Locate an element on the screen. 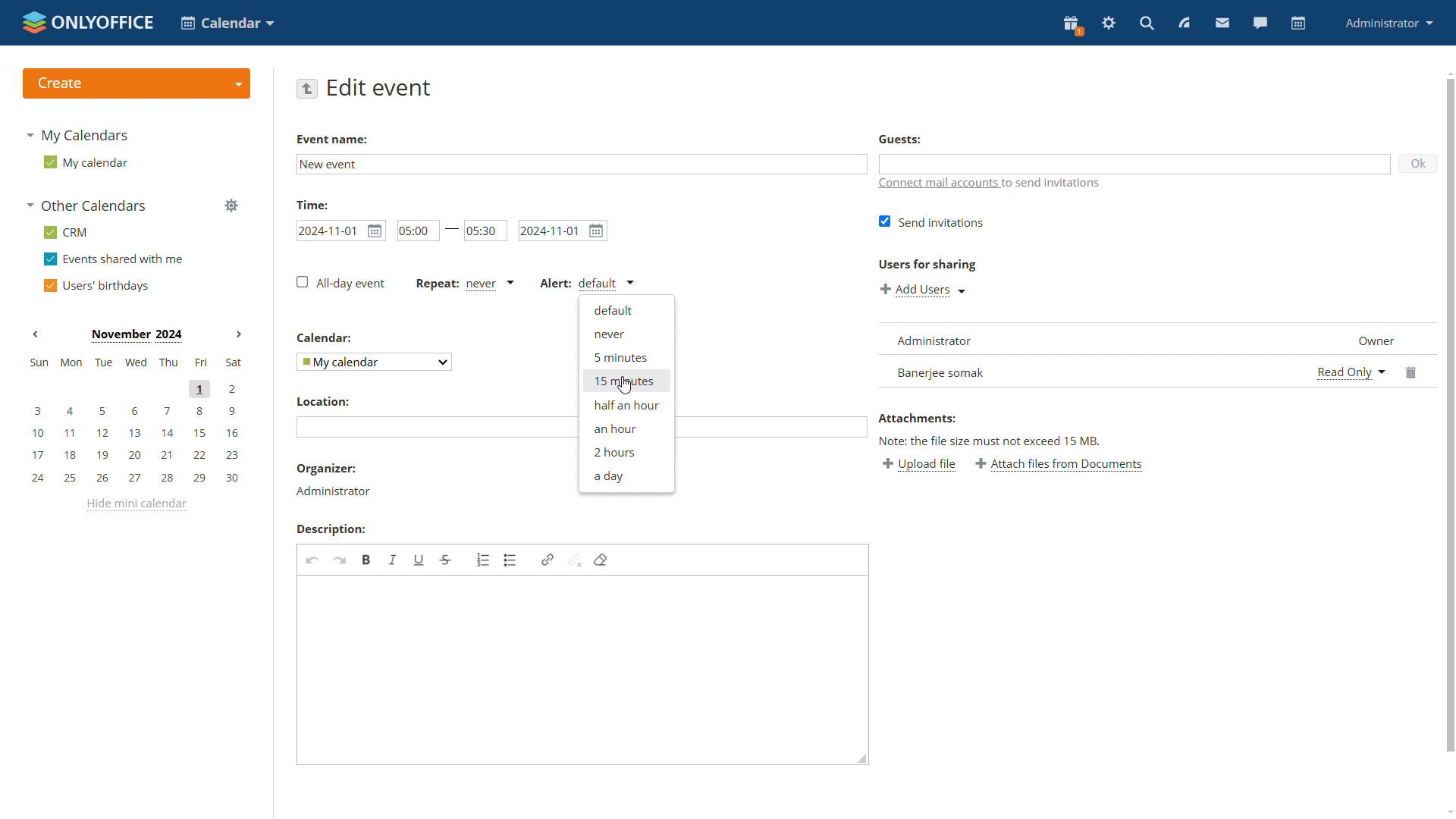 Image resolution: width=1456 pixels, height=819 pixels. edit event description is located at coordinates (585, 670).